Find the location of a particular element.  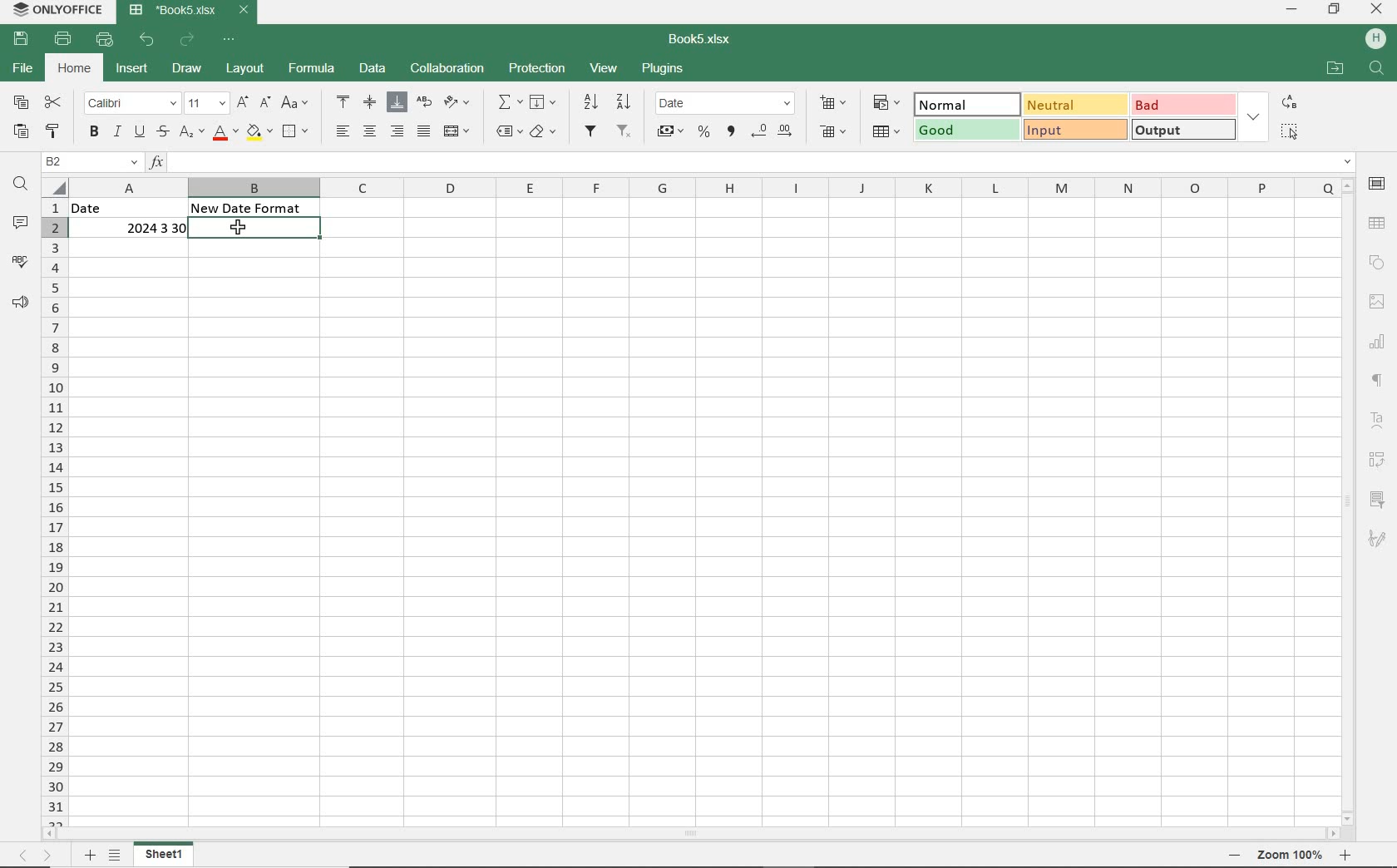

SUBSCRIPT/SUPERSCRIPT is located at coordinates (192, 133).